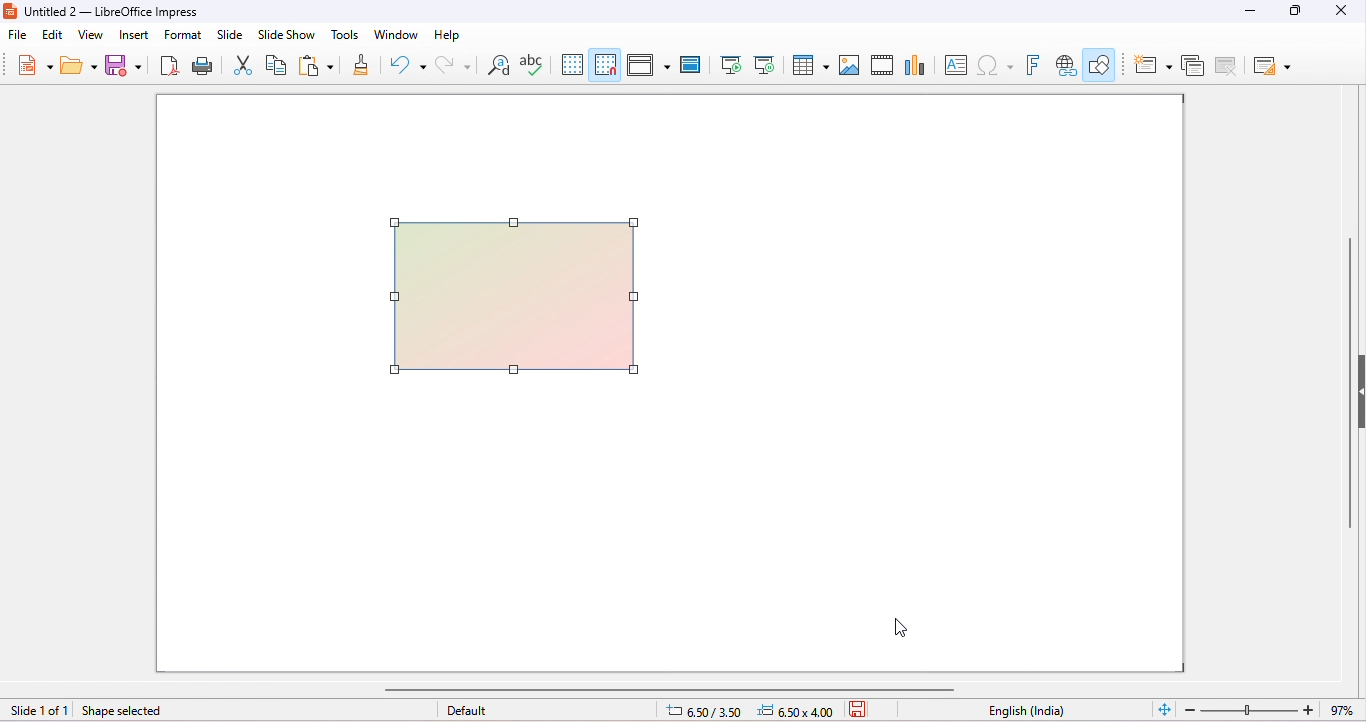 The width and height of the screenshot is (1366, 722). I want to click on custom color gradient added, so click(516, 297).